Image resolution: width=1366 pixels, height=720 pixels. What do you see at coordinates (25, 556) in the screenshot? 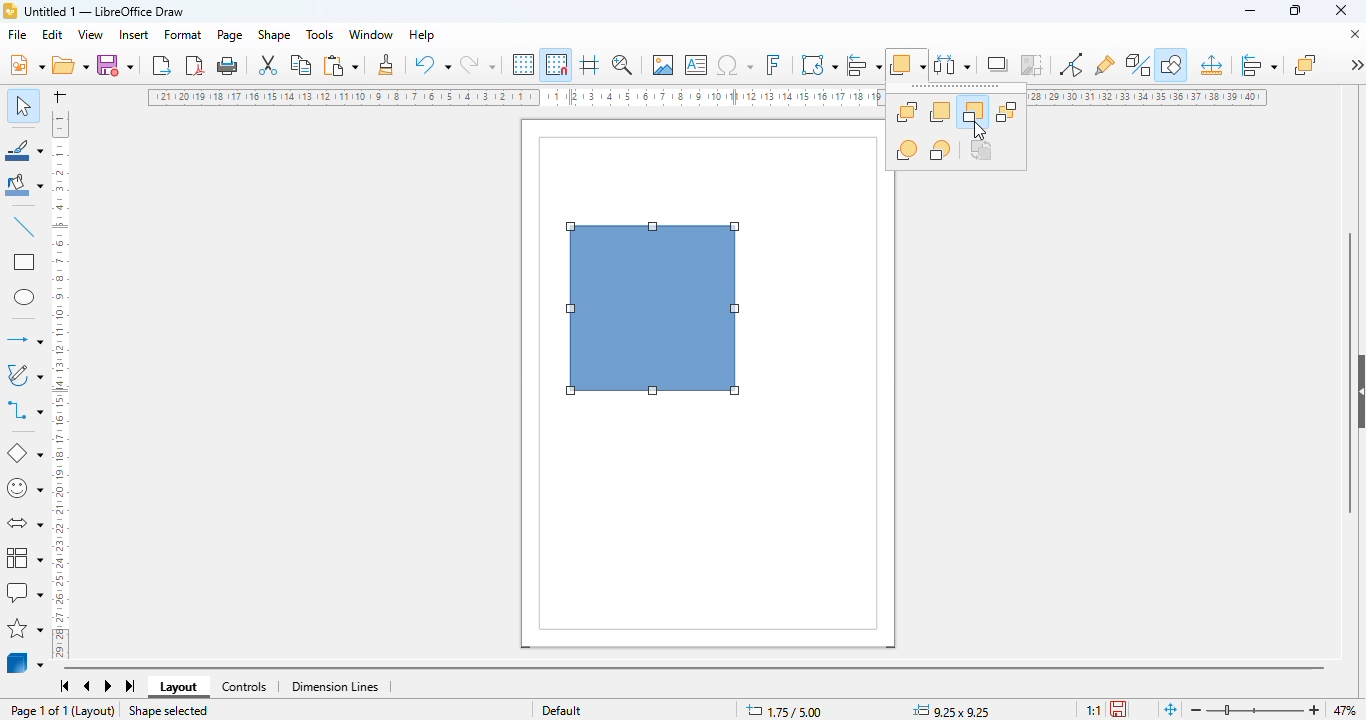
I see `flowchart` at bounding box center [25, 556].